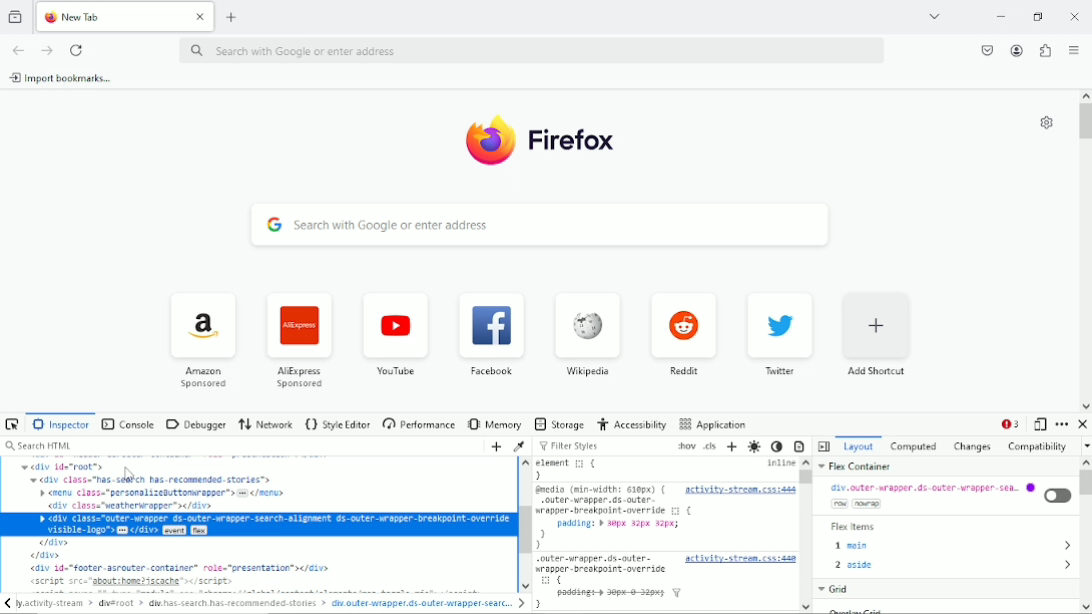 This screenshot has height=614, width=1092. I want to click on close, so click(199, 17).